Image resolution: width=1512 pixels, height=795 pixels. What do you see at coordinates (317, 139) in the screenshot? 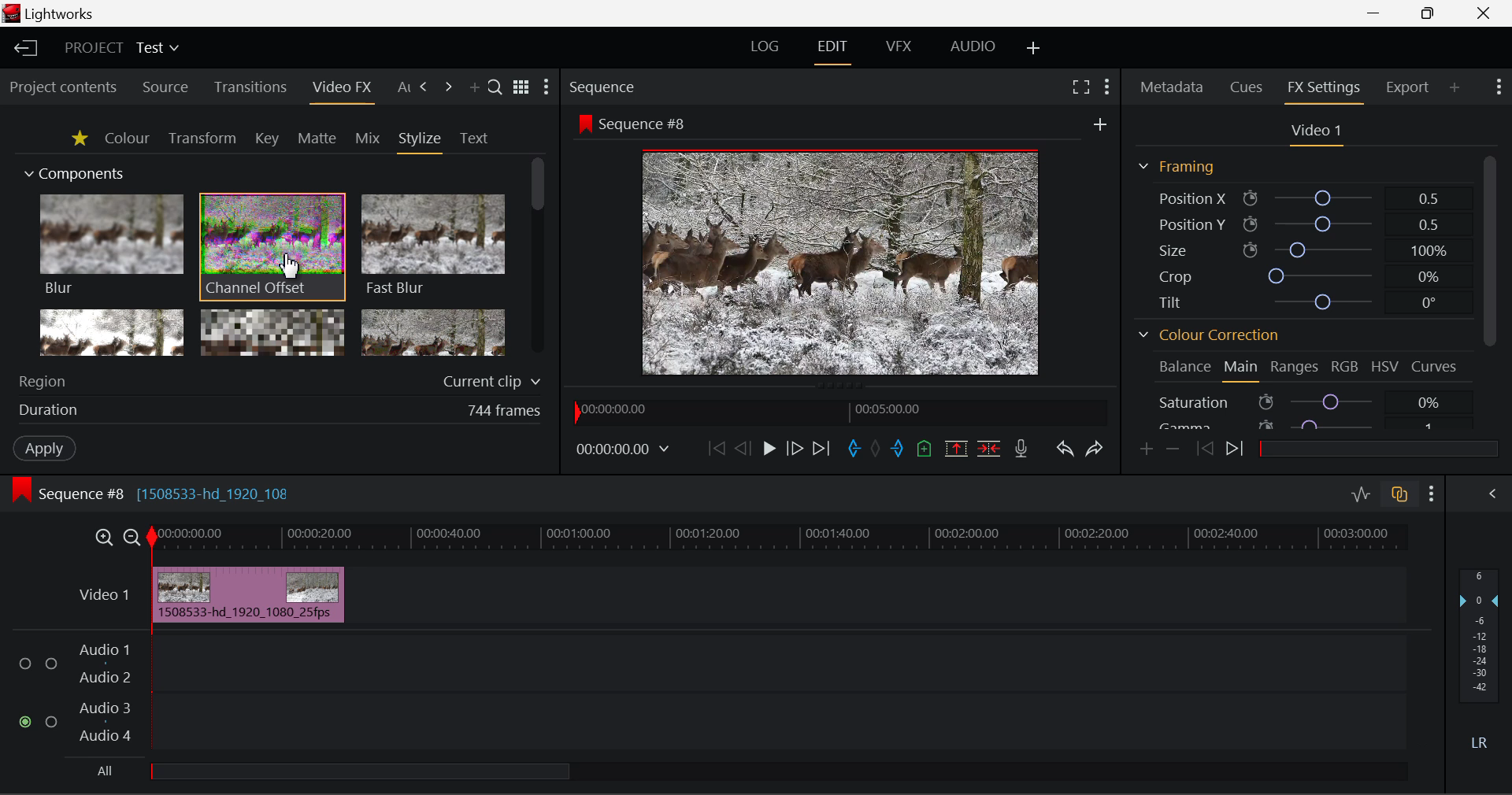
I see `Matte` at bounding box center [317, 139].